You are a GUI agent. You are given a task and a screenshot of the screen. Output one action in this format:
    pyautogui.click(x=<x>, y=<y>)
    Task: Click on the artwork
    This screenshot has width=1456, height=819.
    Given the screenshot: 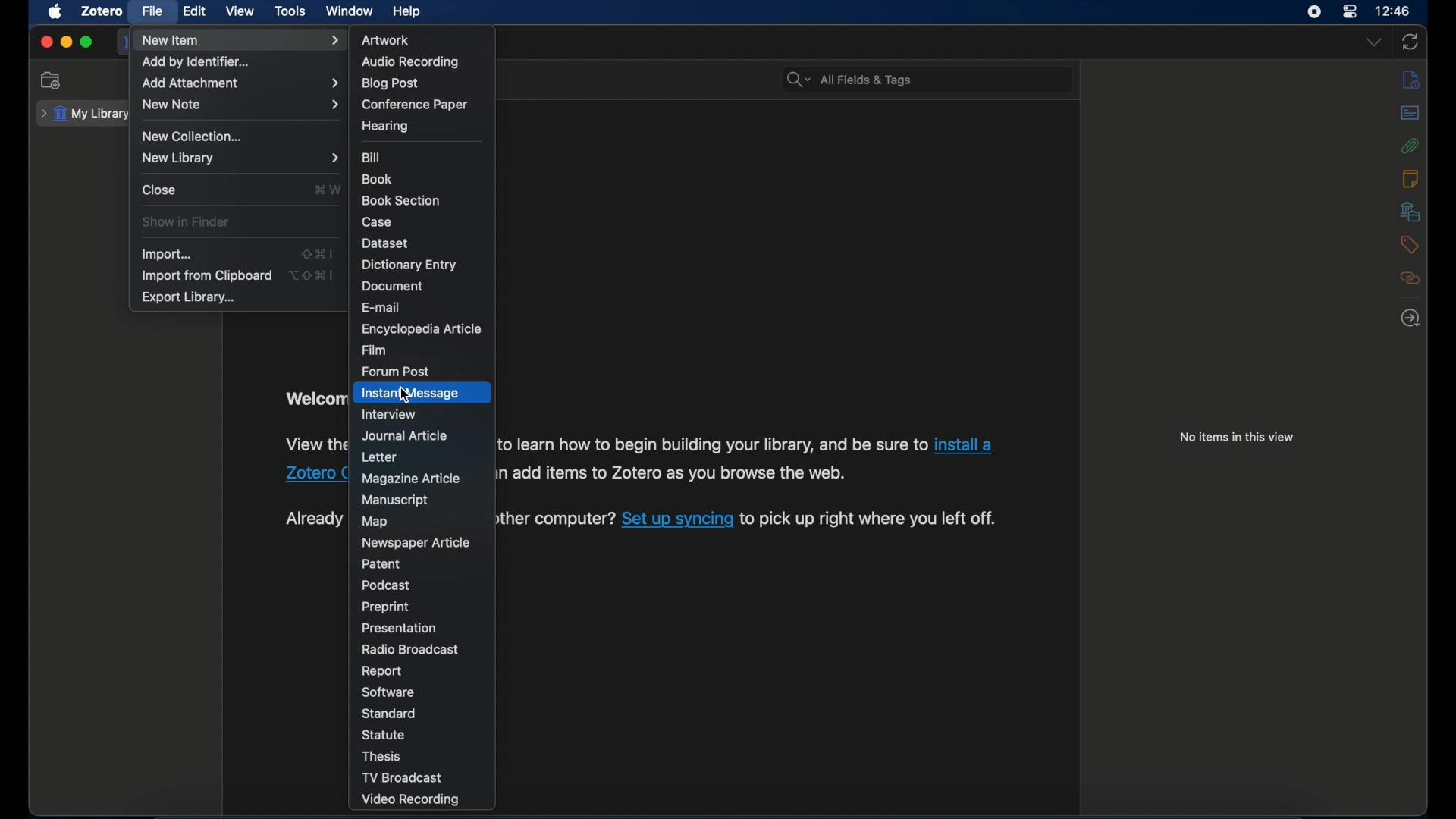 What is the action you would take?
    pyautogui.click(x=386, y=40)
    